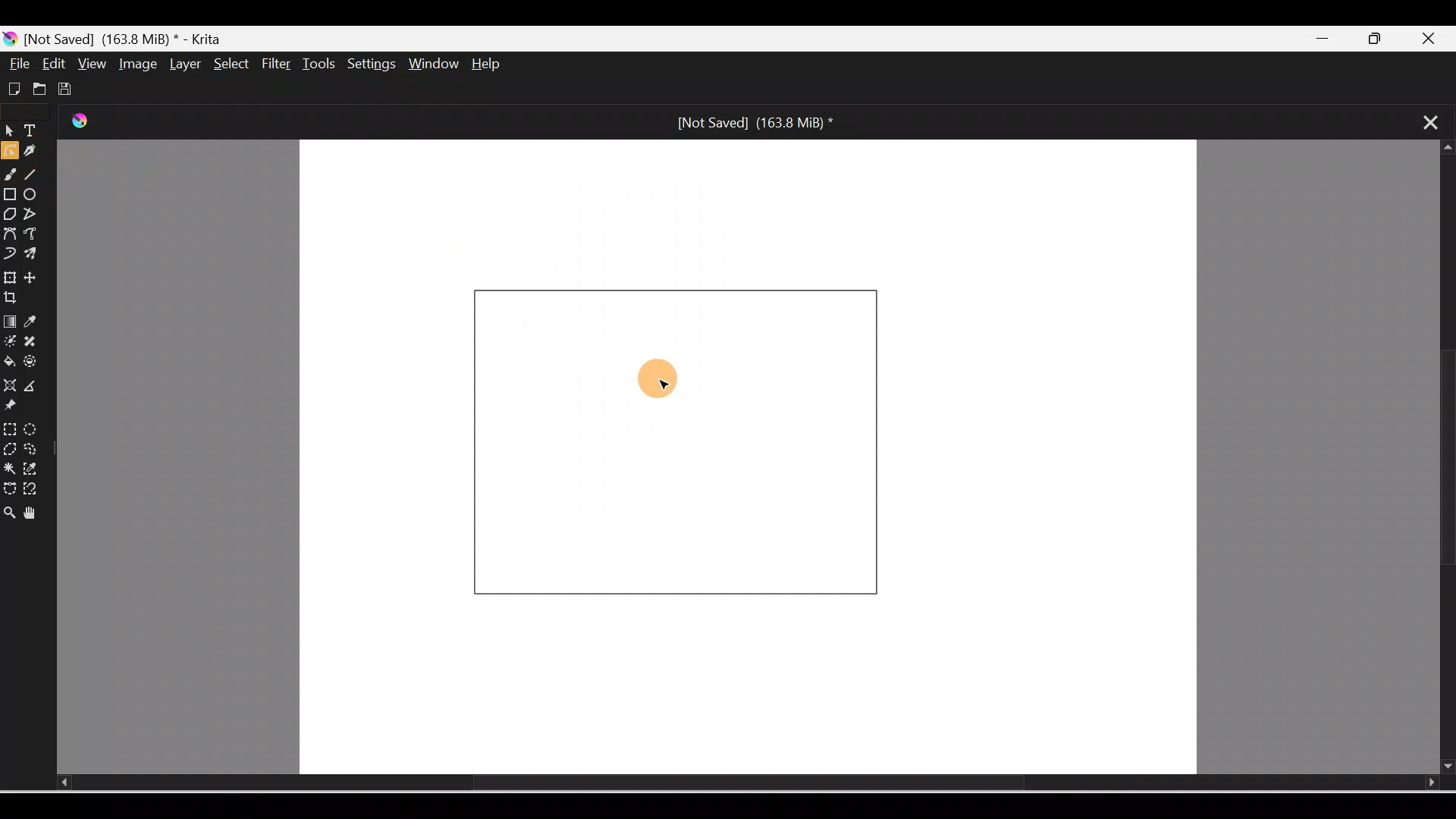 Image resolution: width=1456 pixels, height=819 pixels. What do you see at coordinates (1436, 36) in the screenshot?
I see `Close` at bounding box center [1436, 36].